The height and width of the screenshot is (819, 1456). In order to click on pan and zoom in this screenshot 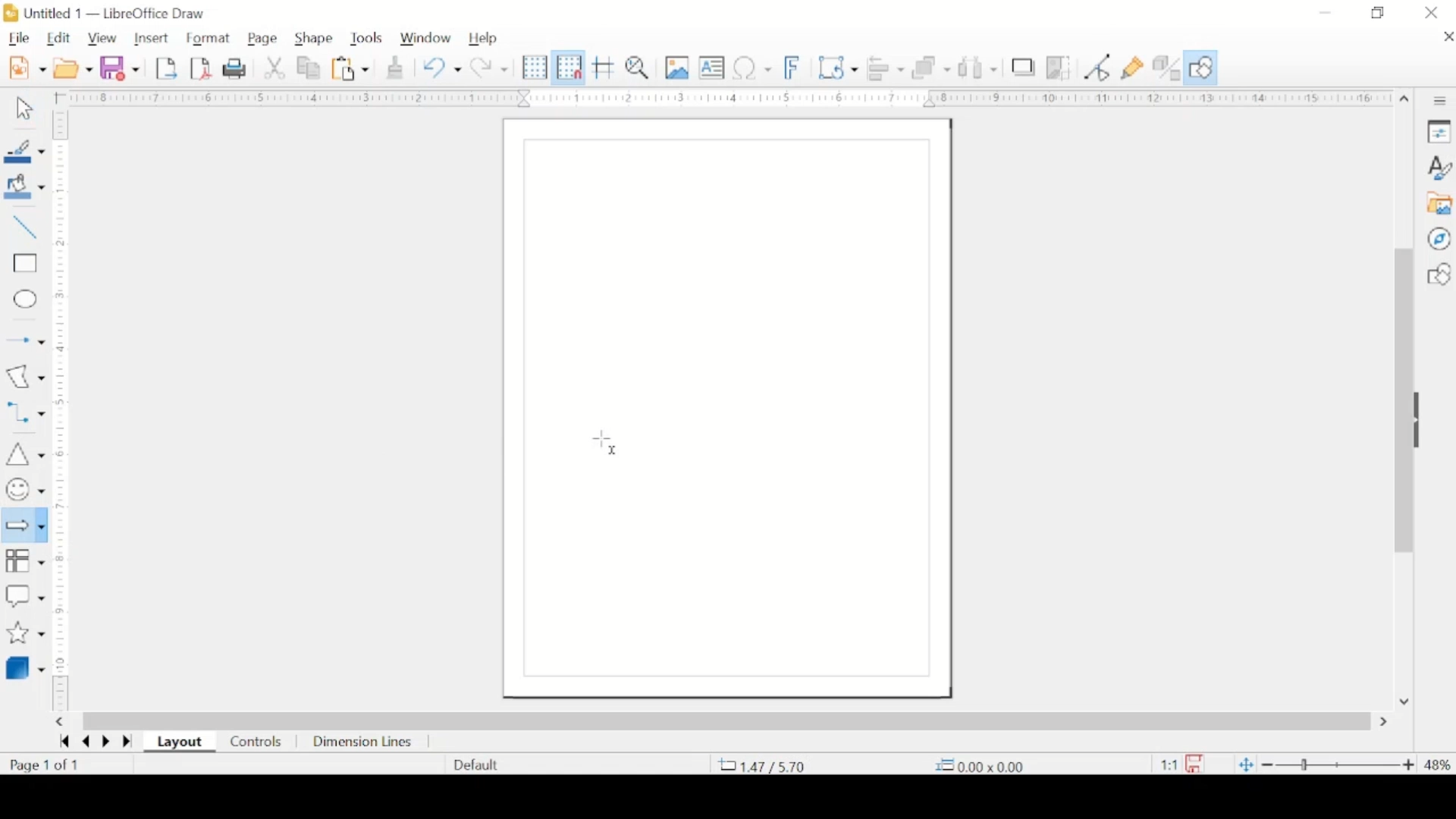, I will do `click(638, 67)`.